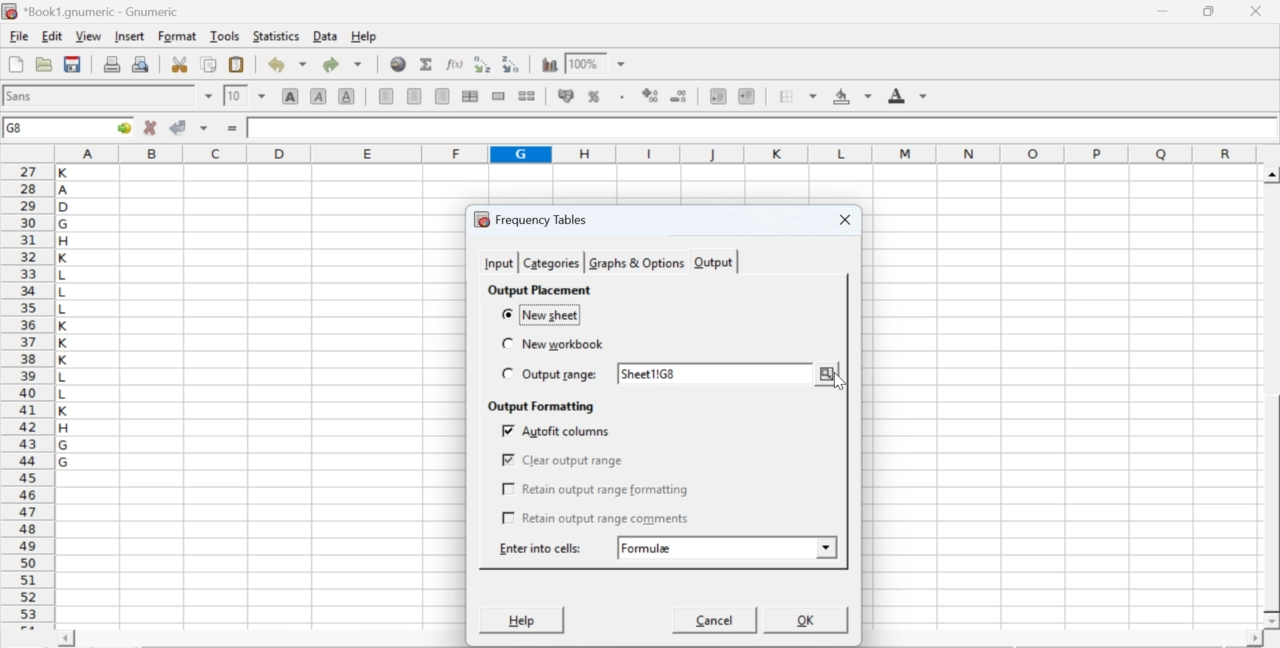  I want to click on copy, so click(210, 64).